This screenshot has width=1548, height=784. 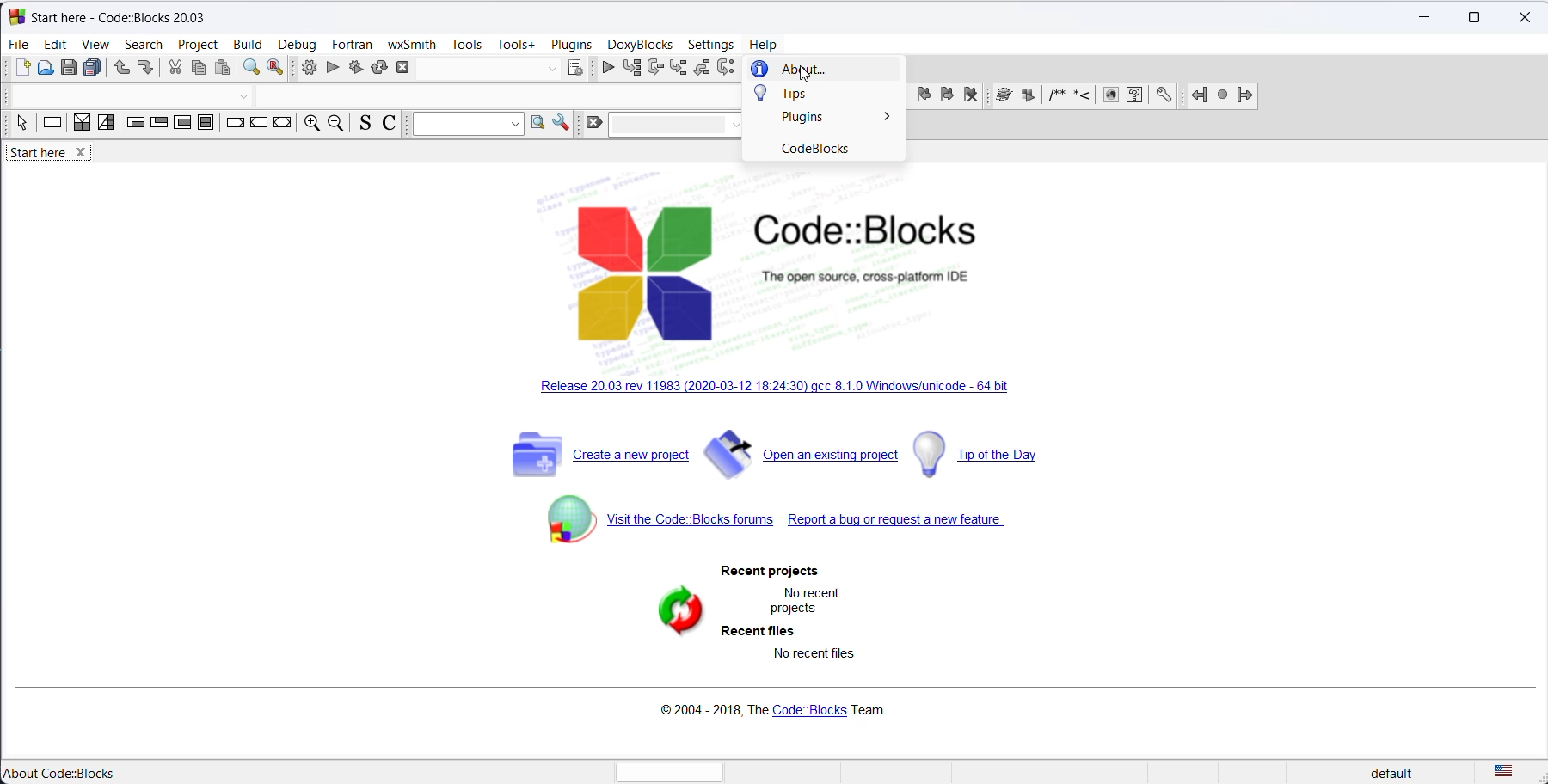 I want to click on dropdown button, so click(x=550, y=70).